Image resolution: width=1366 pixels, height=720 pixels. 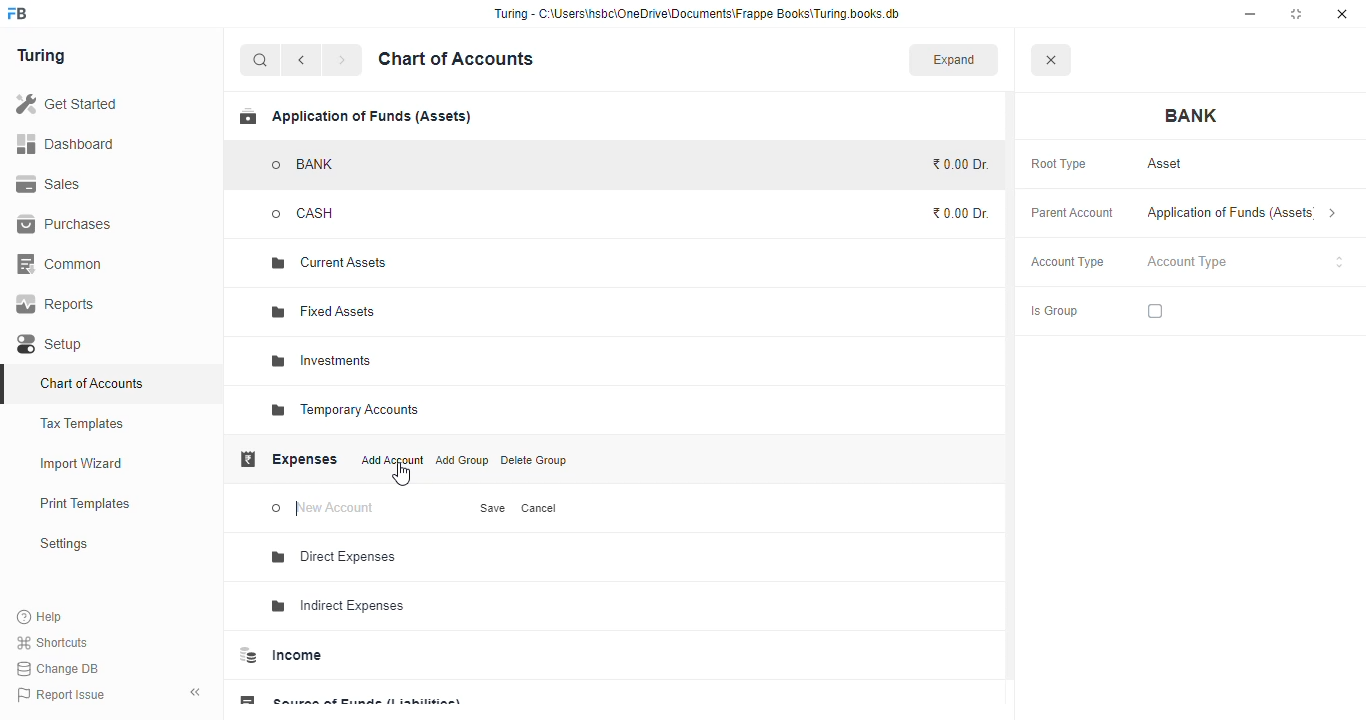 What do you see at coordinates (1068, 262) in the screenshot?
I see `account type` at bounding box center [1068, 262].